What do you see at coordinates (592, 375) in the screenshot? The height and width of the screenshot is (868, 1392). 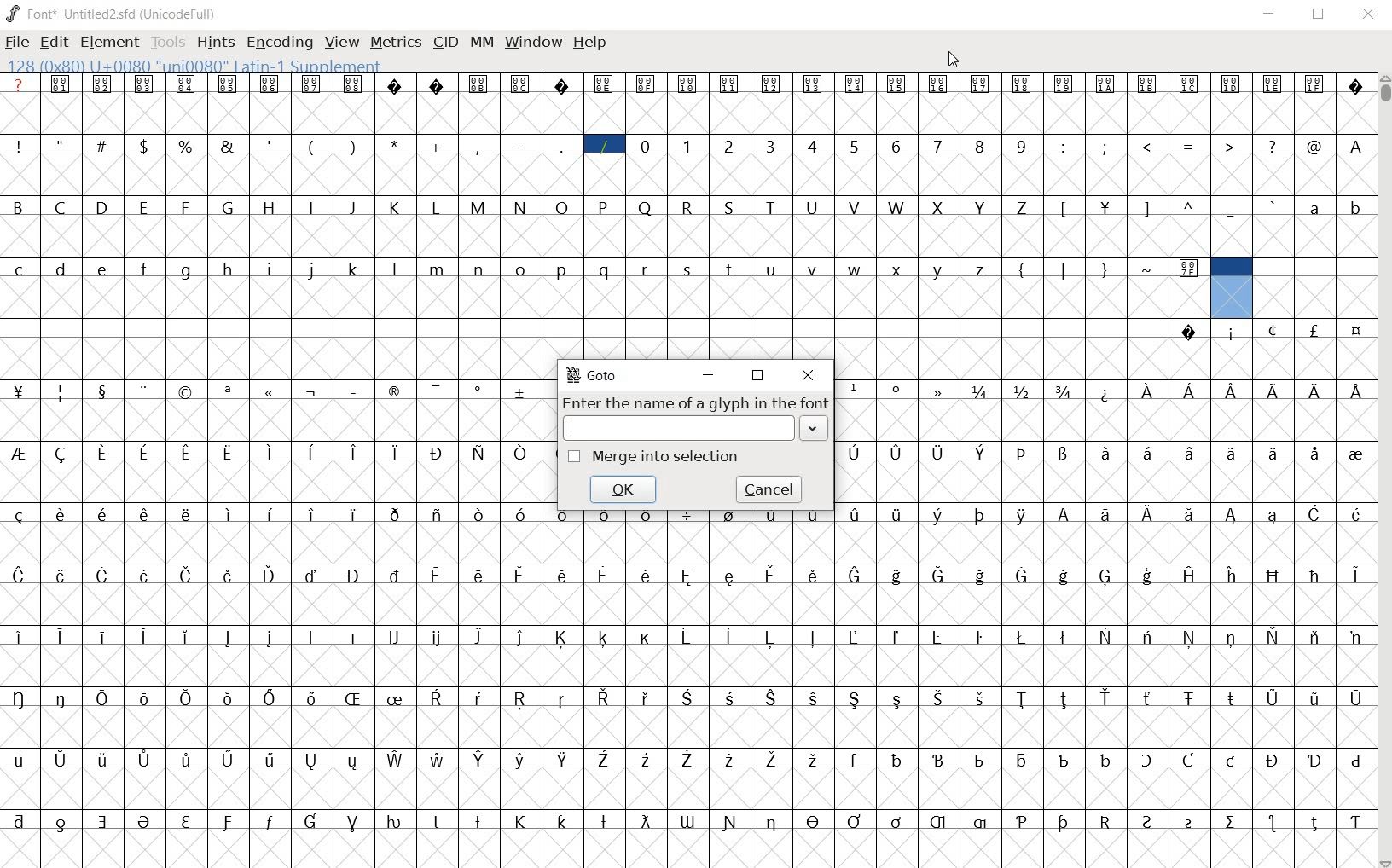 I see `GoTo` at bounding box center [592, 375].